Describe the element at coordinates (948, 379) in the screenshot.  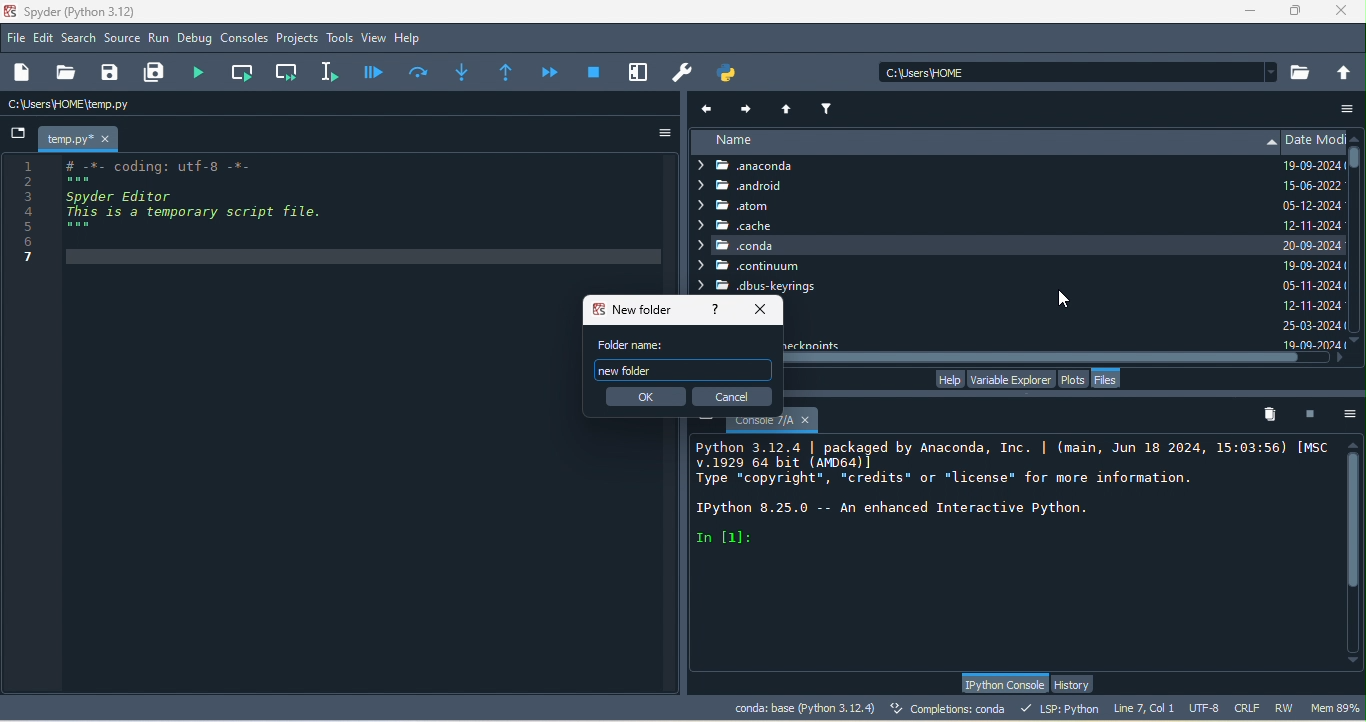
I see `help` at that location.